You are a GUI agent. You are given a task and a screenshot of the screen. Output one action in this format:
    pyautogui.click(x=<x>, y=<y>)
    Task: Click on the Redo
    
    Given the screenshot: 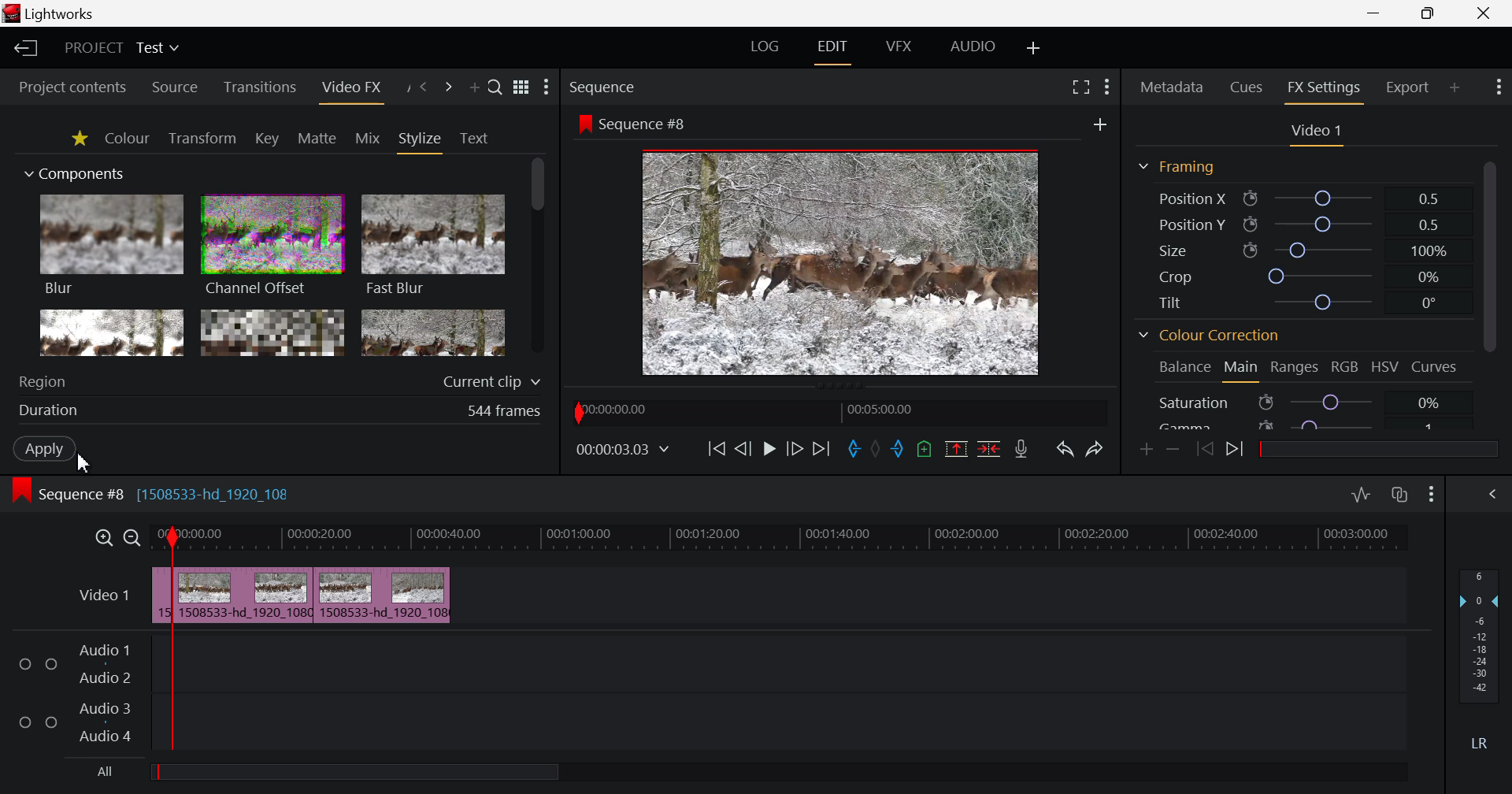 What is the action you would take?
    pyautogui.click(x=1093, y=451)
    